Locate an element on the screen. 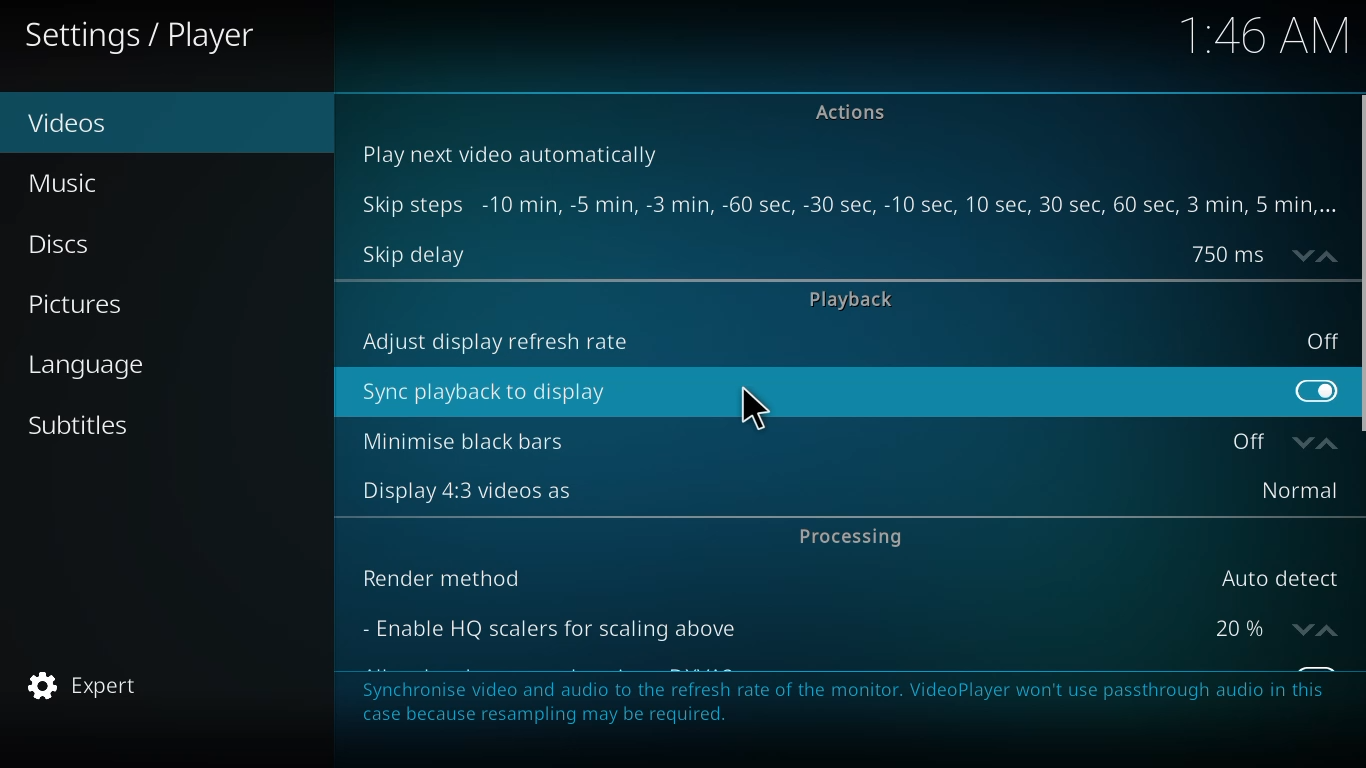  auto detect is located at coordinates (1278, 577).